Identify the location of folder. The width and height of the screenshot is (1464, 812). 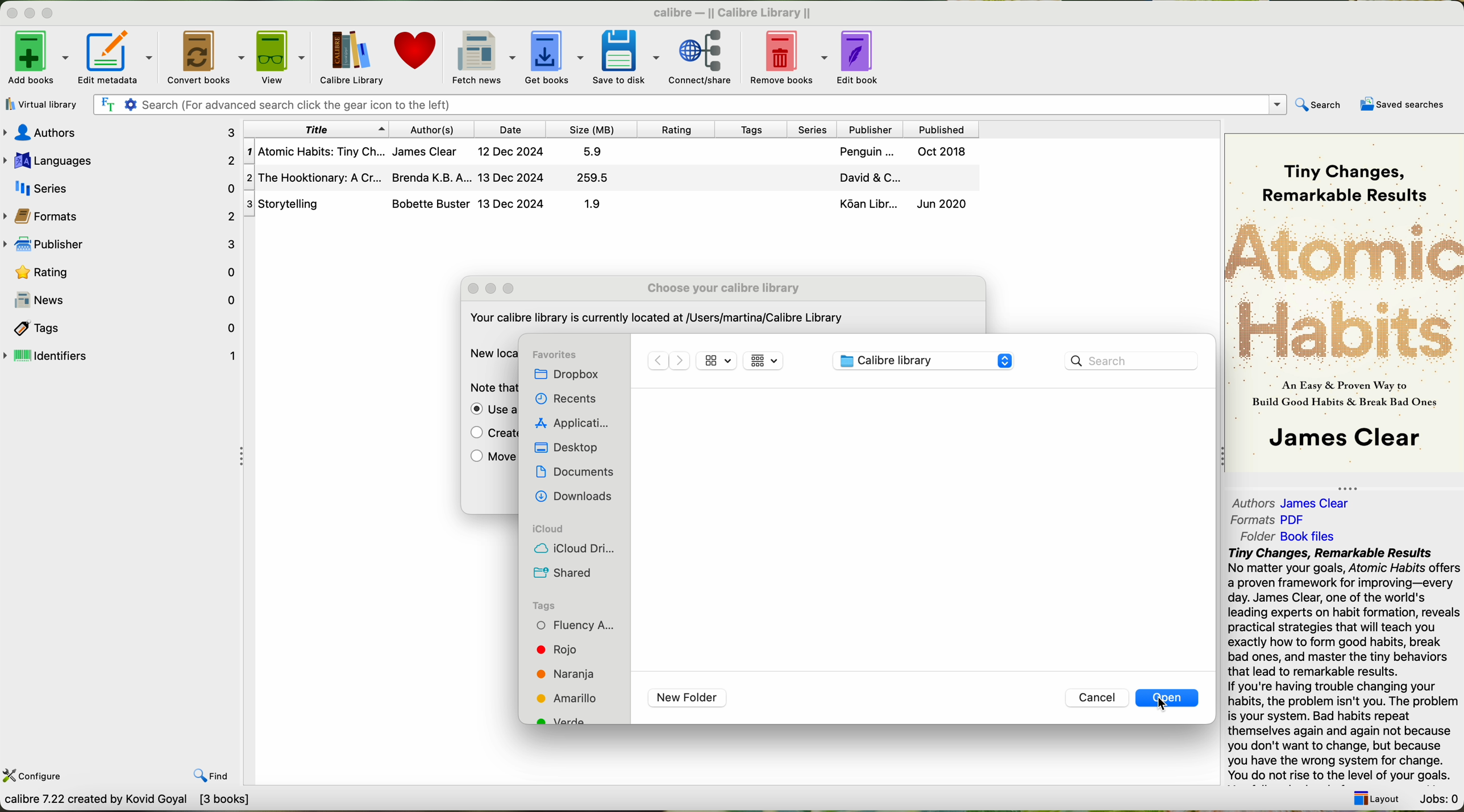
(1255, 537).